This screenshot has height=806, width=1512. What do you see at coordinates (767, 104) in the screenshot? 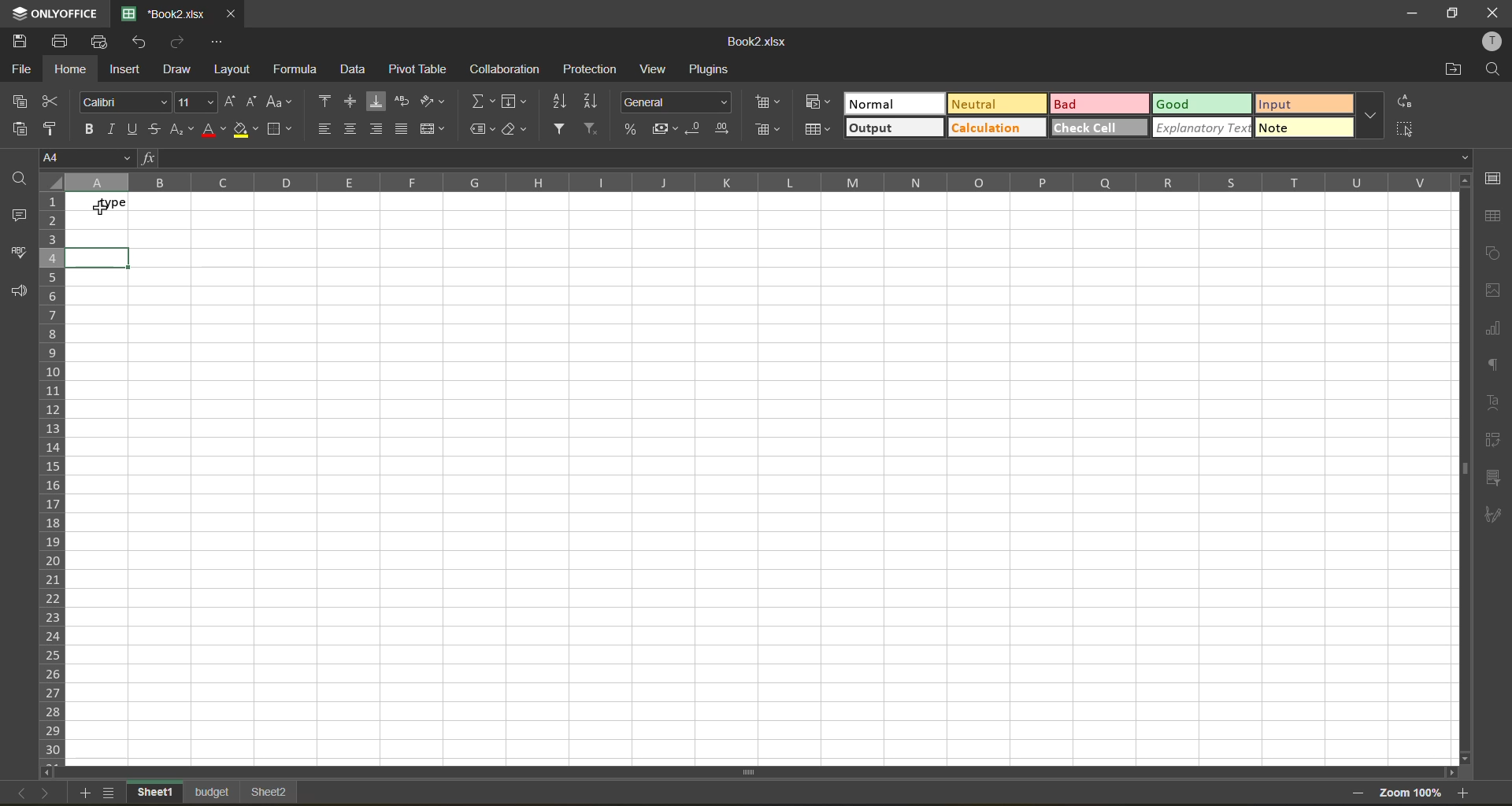
I see `insert cells` at bounding box center [767, 104].